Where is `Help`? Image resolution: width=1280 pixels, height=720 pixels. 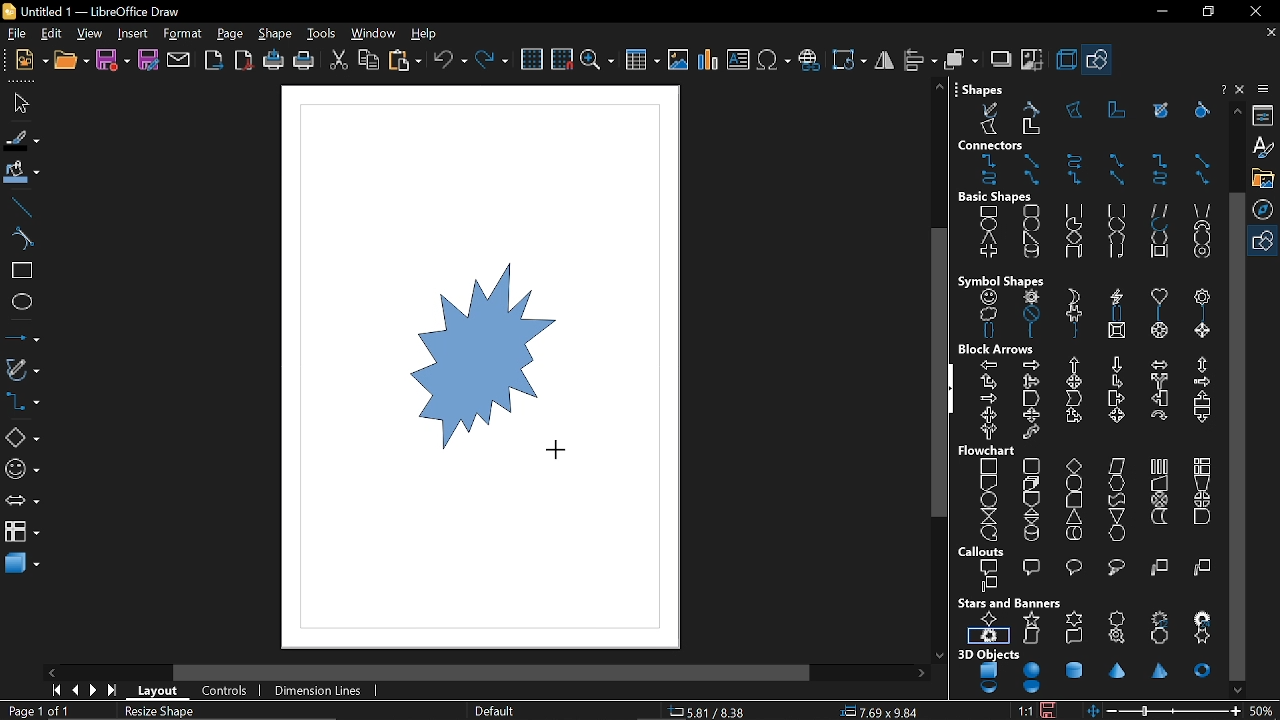
Help is located at coordinates (1242, 91).